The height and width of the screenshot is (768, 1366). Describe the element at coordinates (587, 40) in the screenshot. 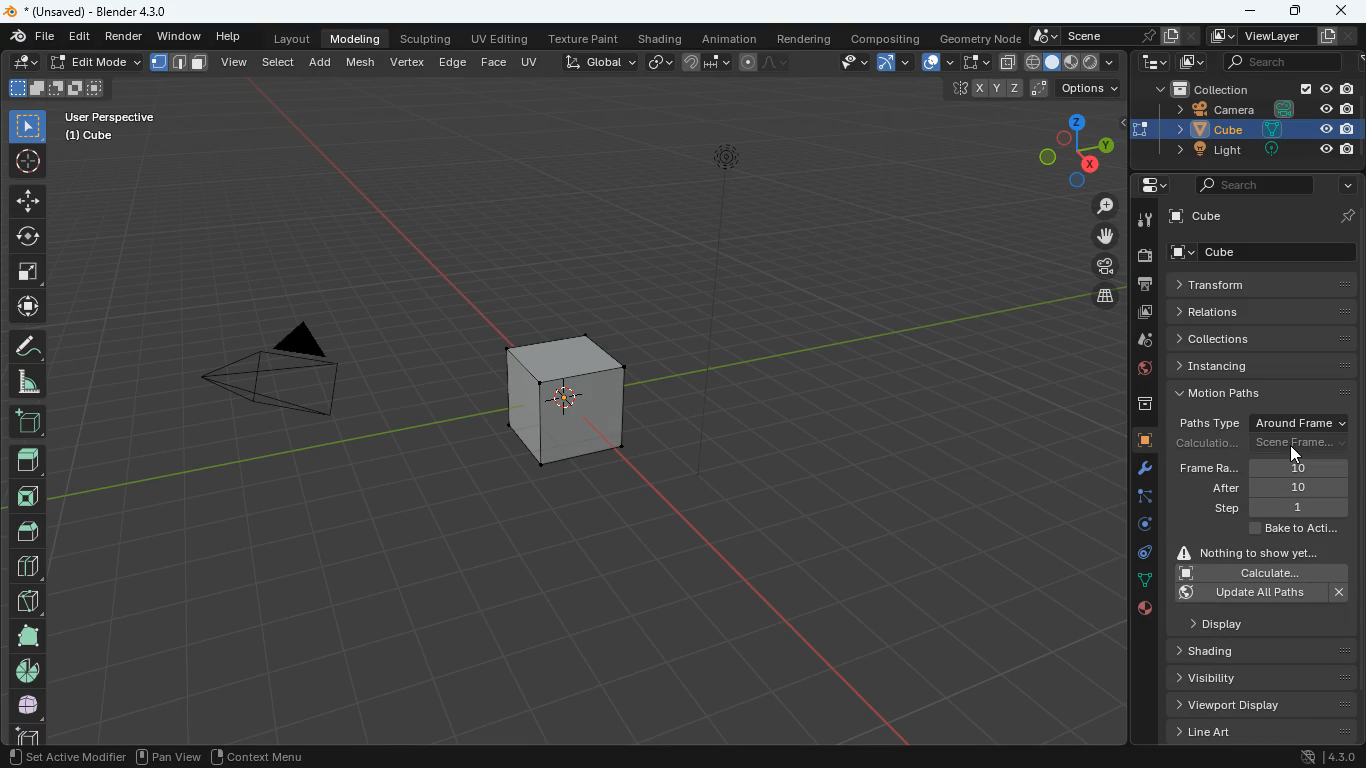

I see `texture` at that location.